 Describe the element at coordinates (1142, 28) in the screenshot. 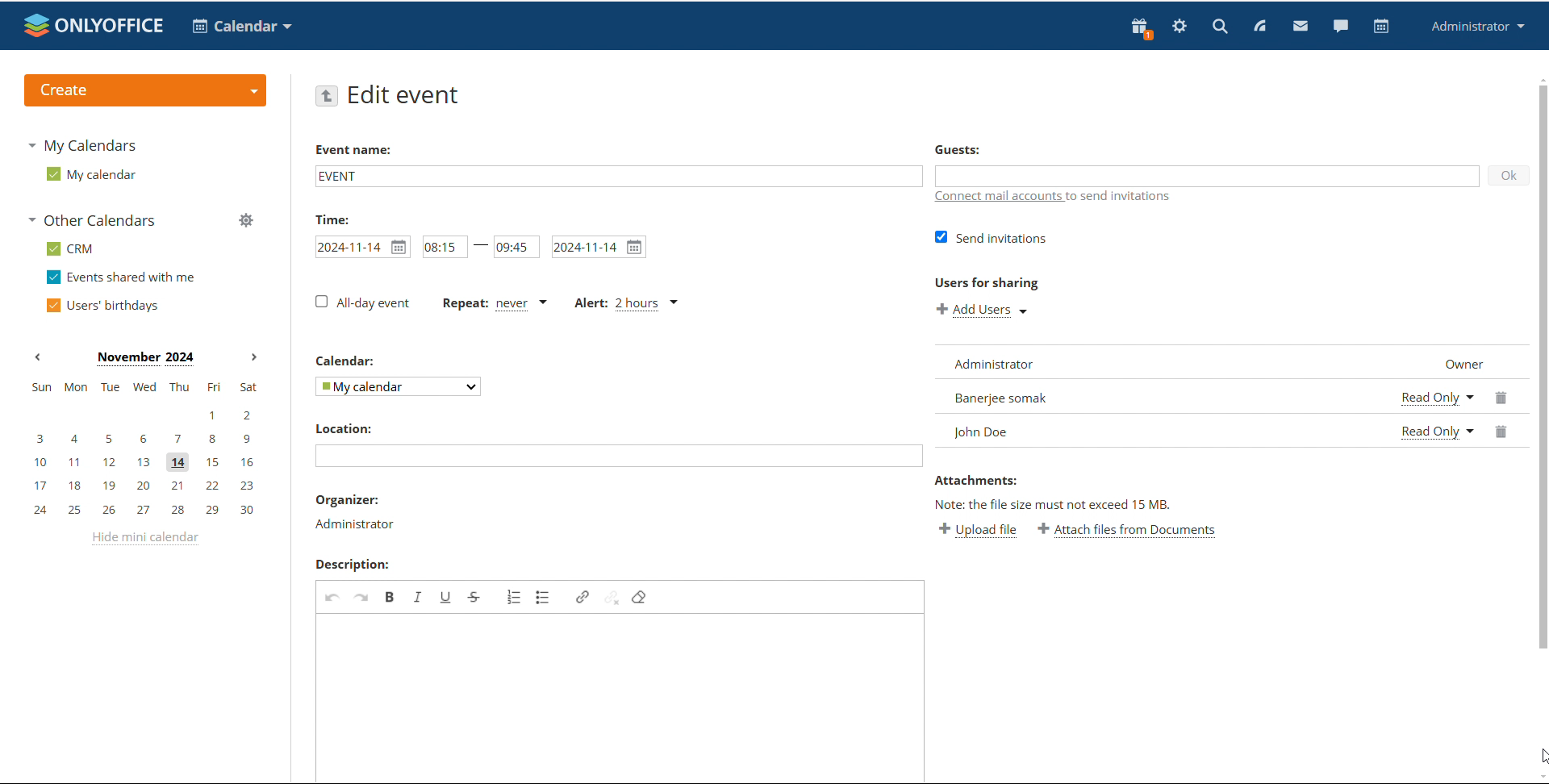

I see `reward` at that location.